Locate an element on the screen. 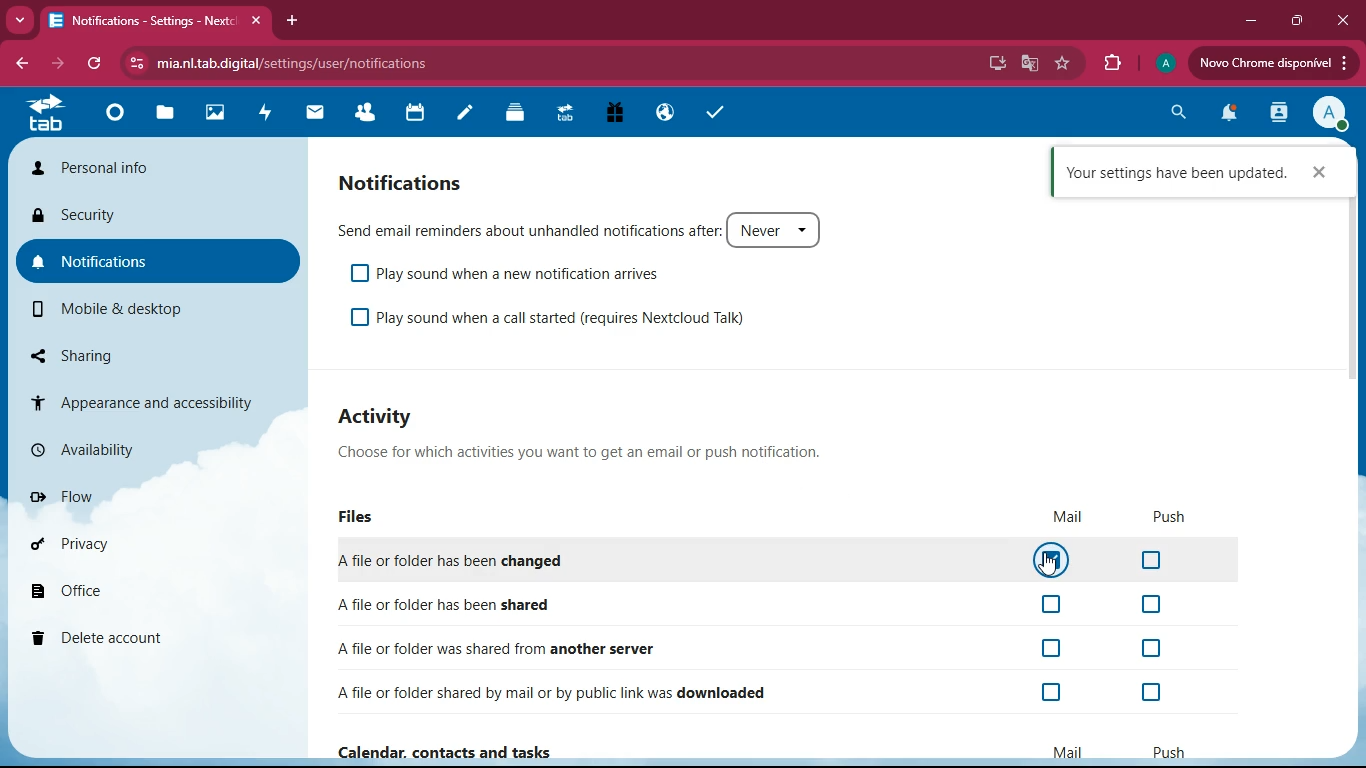 Image resolution: width=1366 pixels, height=768 pixels. desktop is located at coordinates (1001, 63).